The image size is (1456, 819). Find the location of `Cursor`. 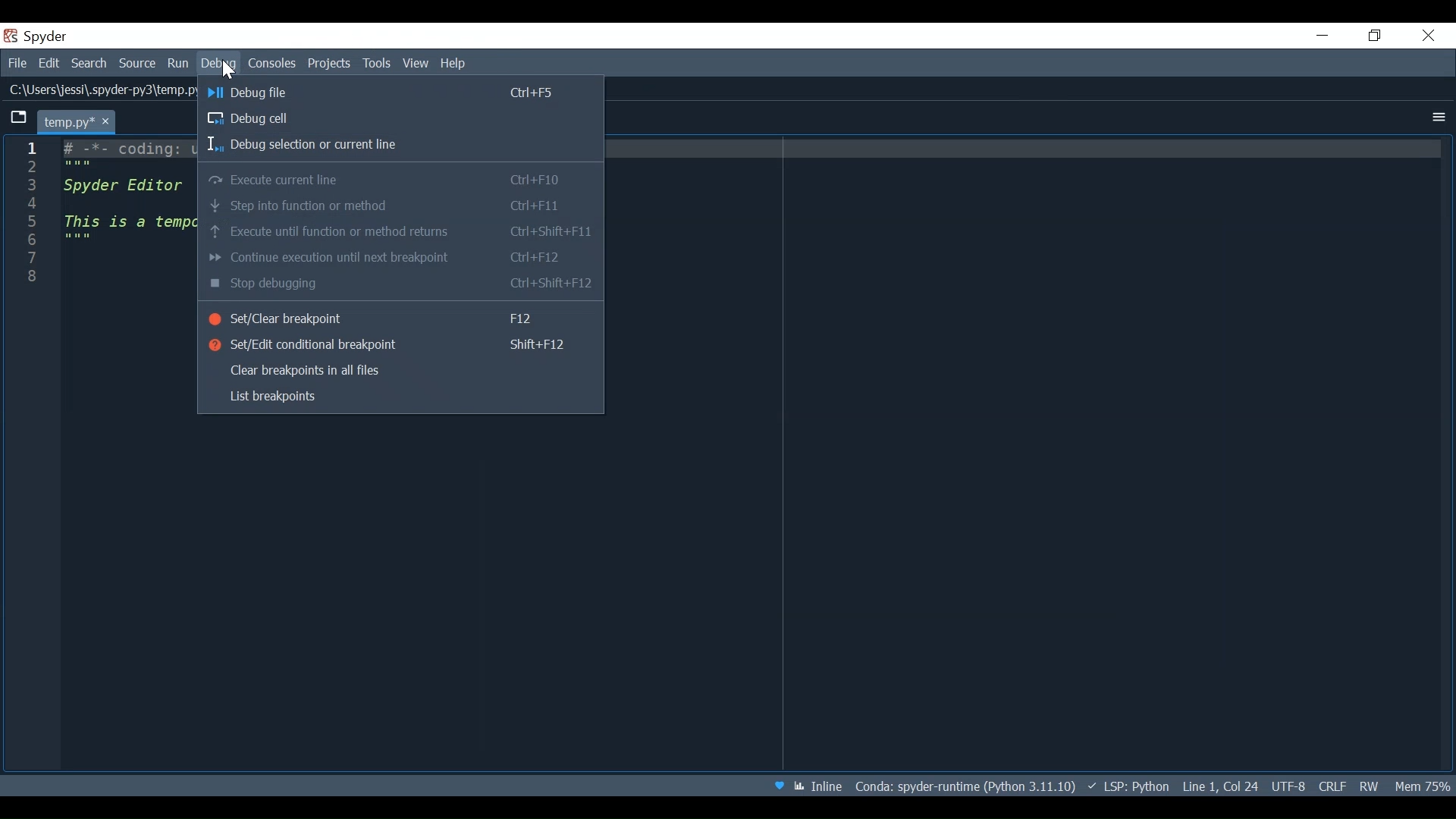

Cursor is located at coordinates (226, 71).